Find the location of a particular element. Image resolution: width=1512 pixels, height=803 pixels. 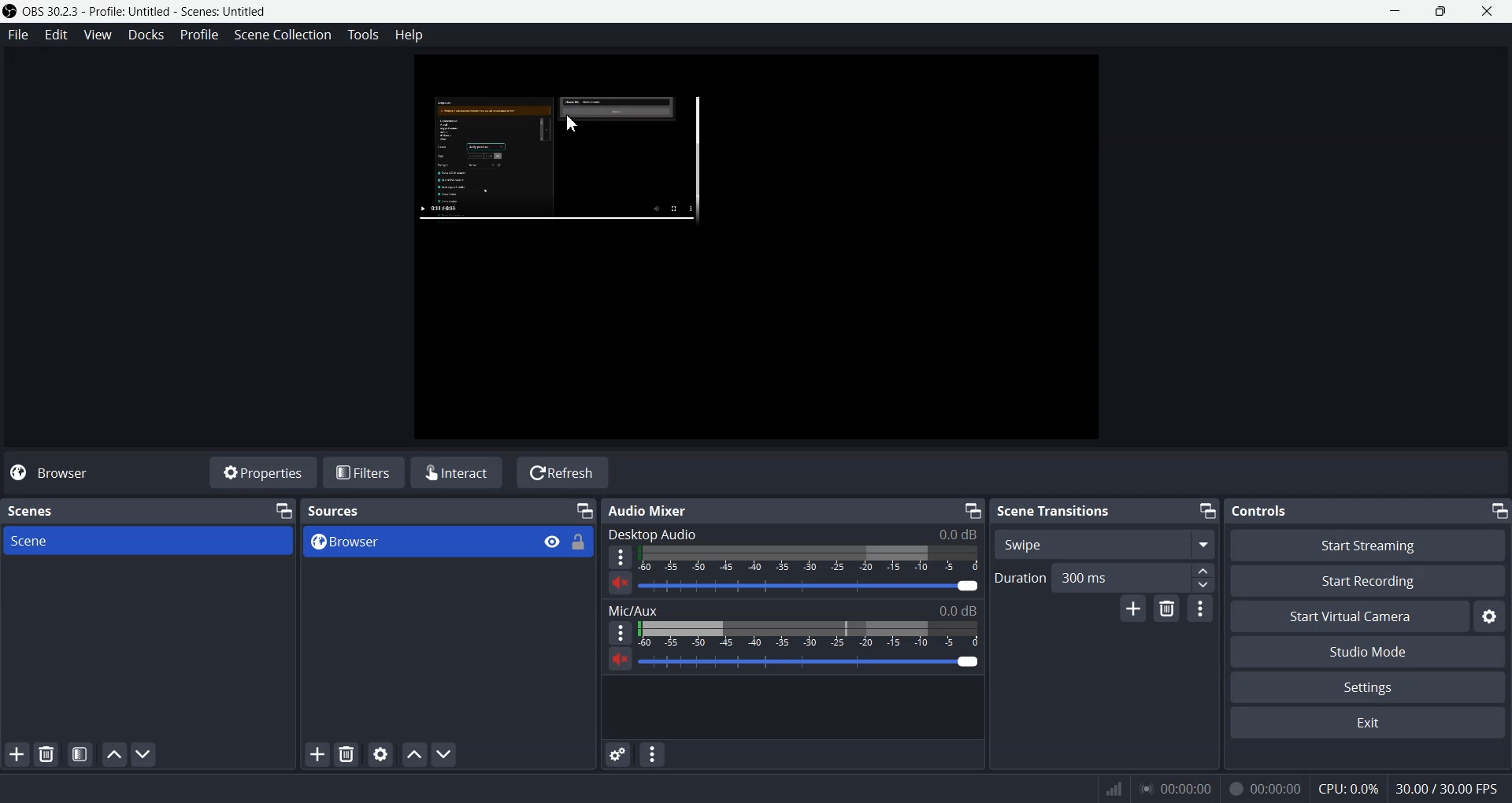

Advance audio properties is located at coordinates (618, 754).